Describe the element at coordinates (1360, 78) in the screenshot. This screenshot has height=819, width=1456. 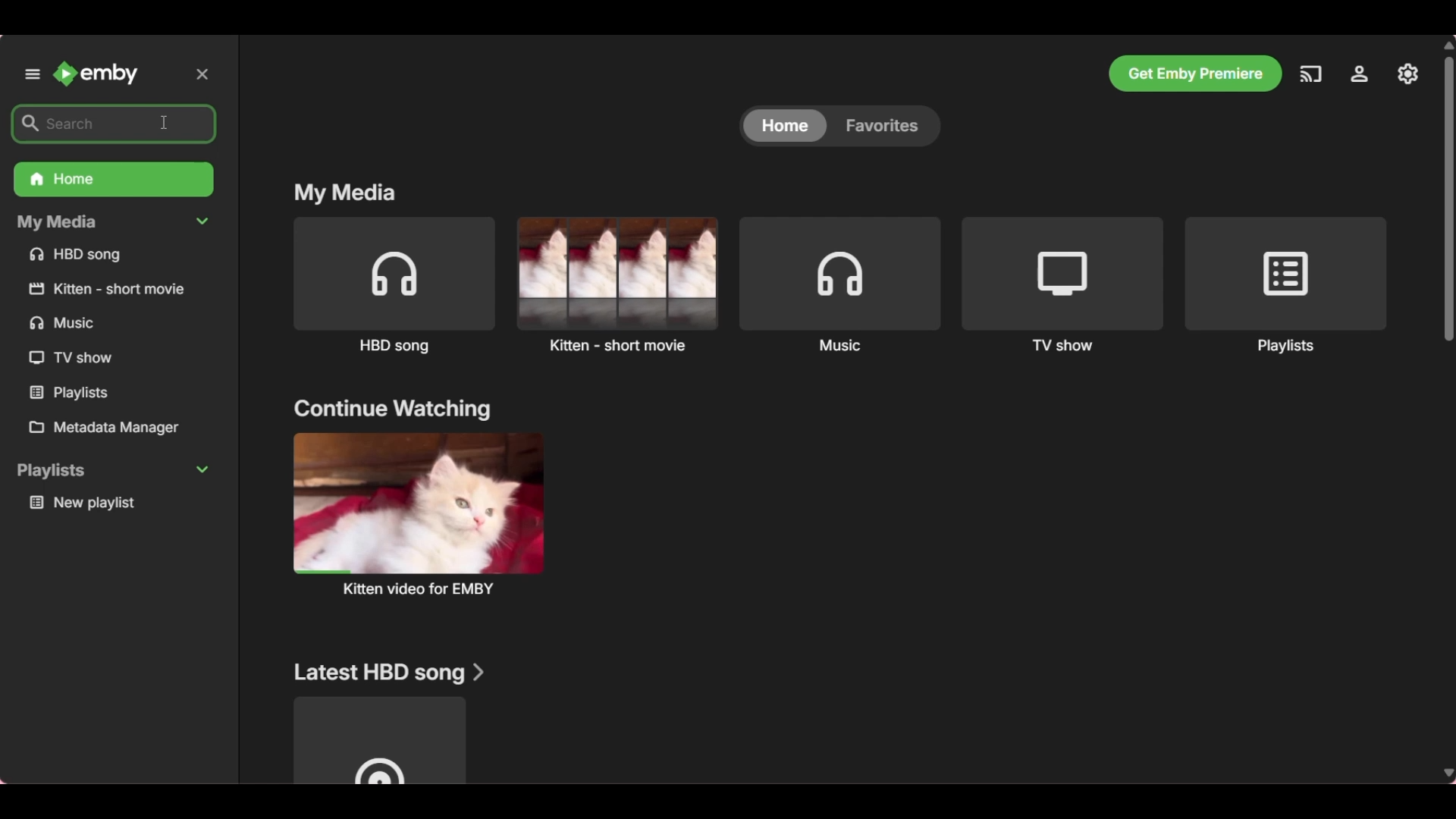
I see `Manage Emby server` at that location.